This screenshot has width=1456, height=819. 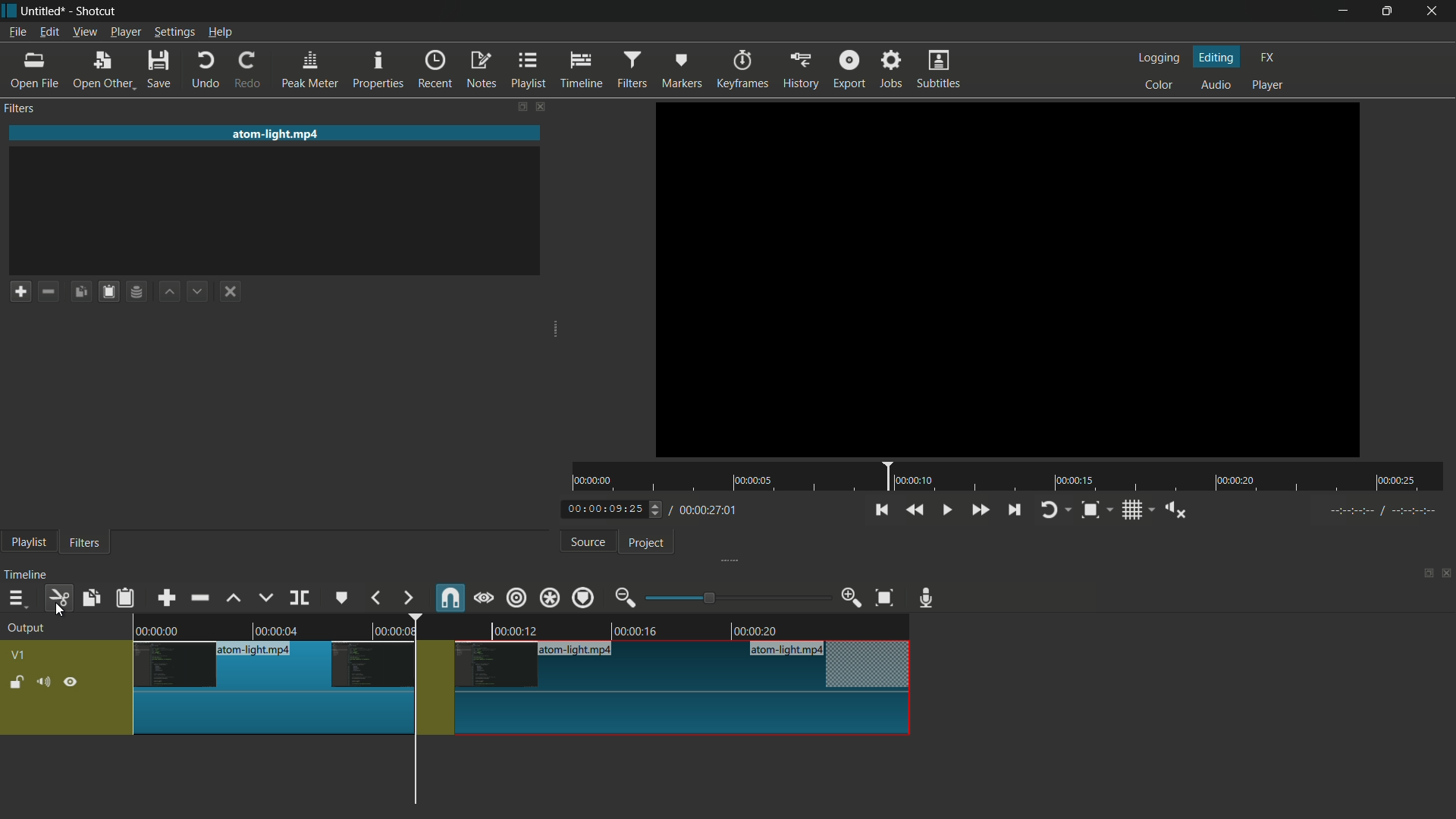 What do you see at coordinates (265, 598) in the screenshot?
I see `overwrite` at bounding box center [265, 598].